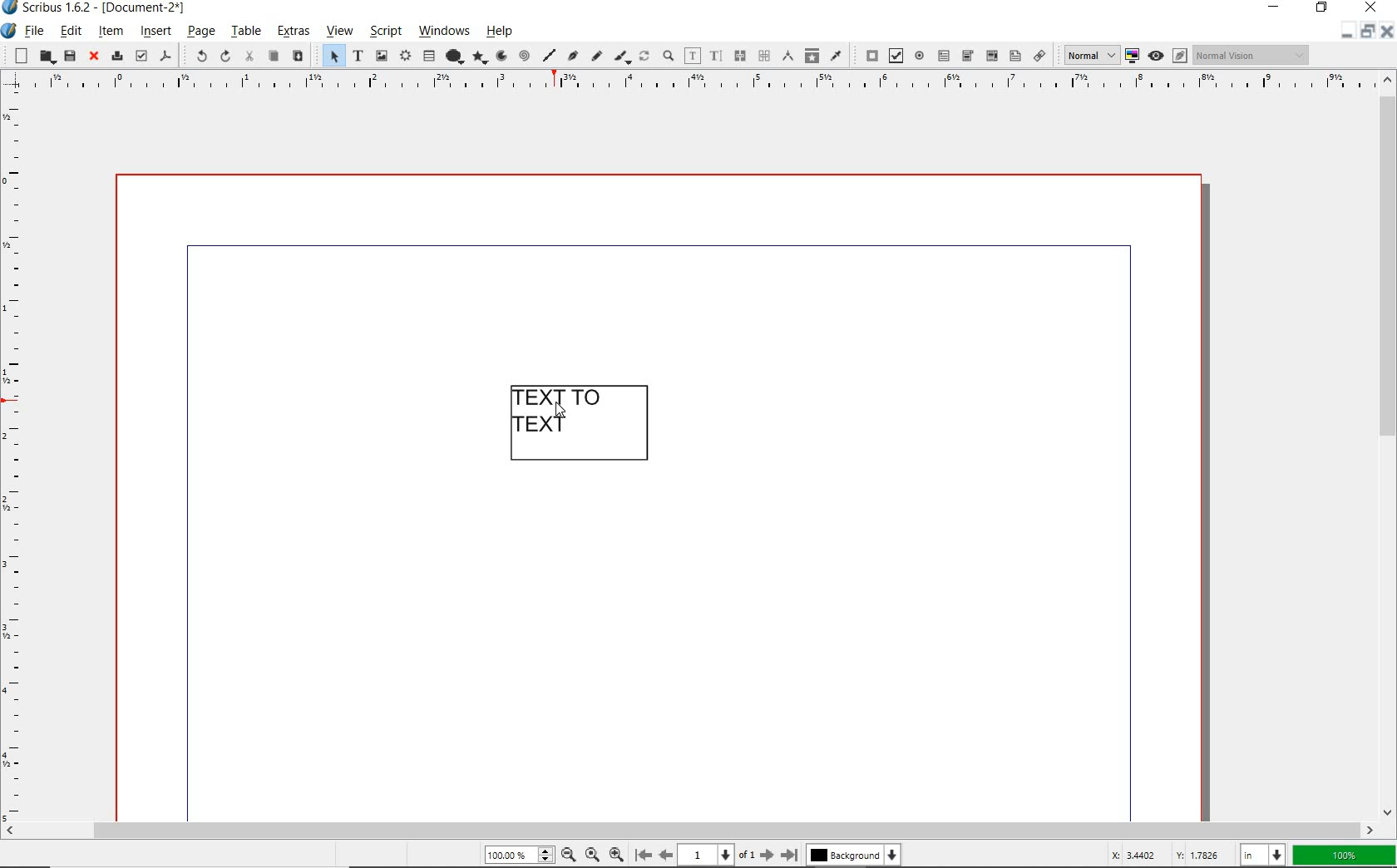 The width and height of the screenshot is (1397, 868). I want to click on close, so click(94, 57).